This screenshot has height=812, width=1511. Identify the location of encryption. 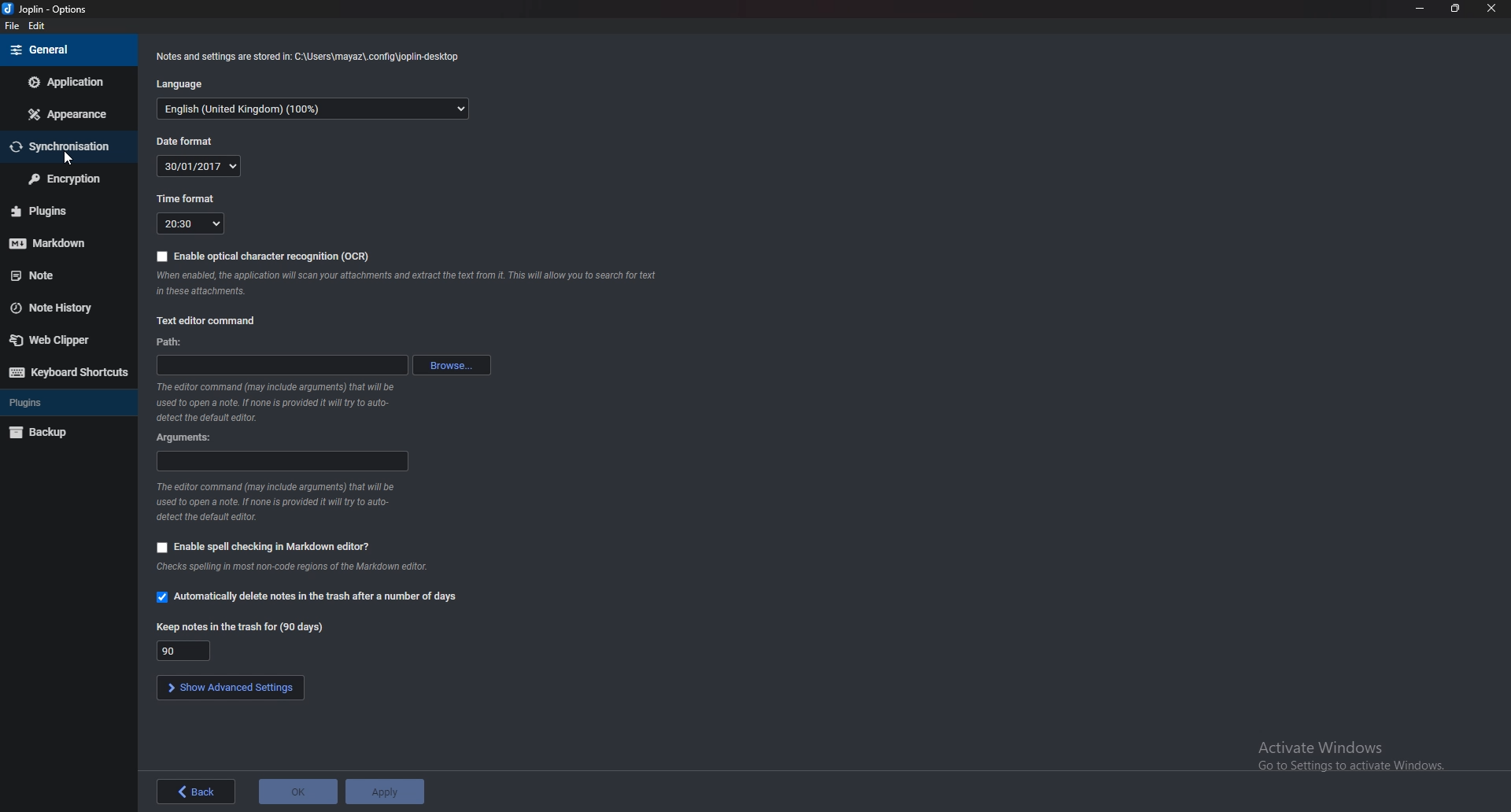
(66, 179).